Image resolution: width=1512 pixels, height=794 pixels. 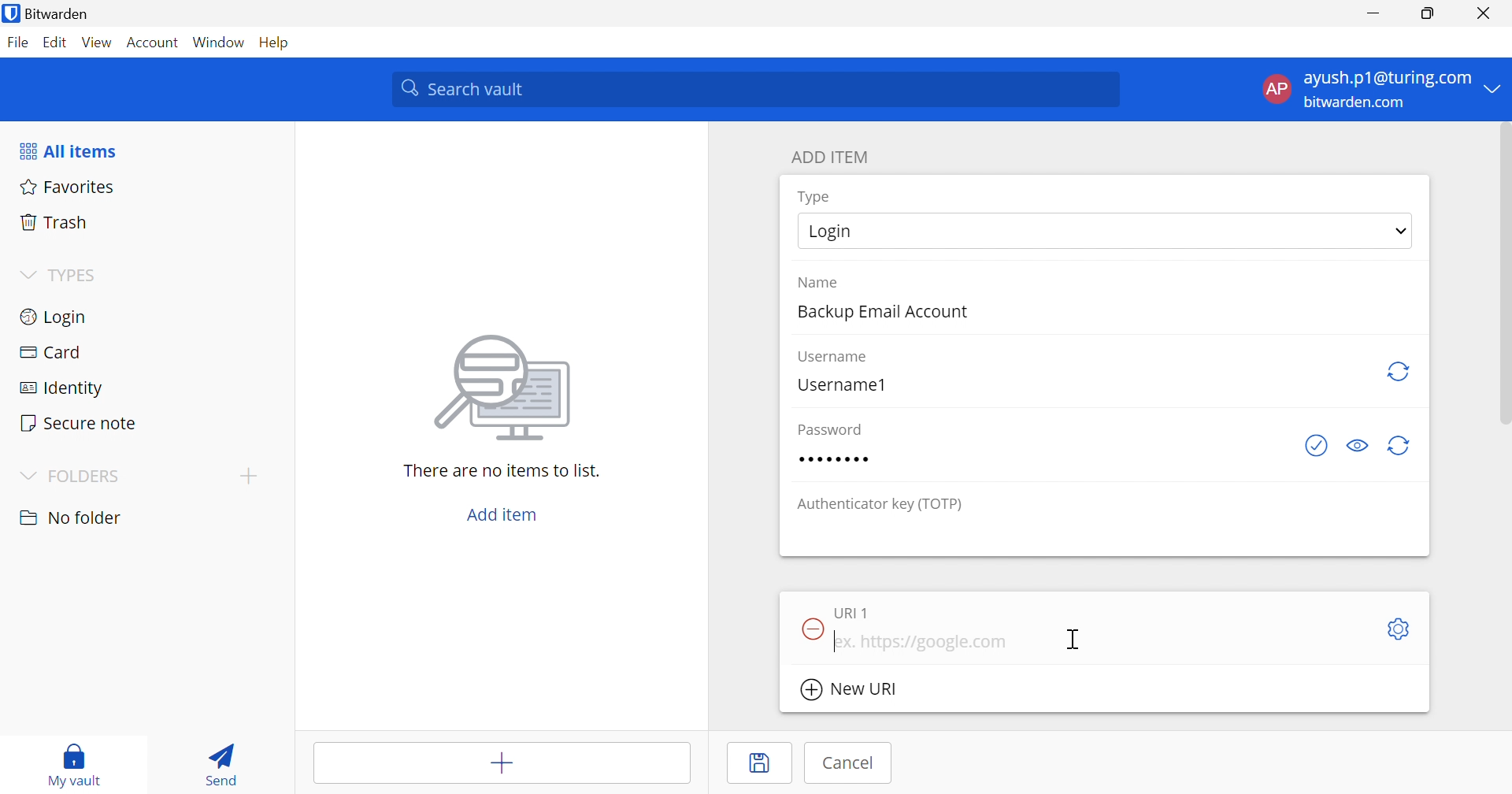 What do you see at coordinates (1373, 13) in the screenshot?
I see `Minimize` at bounding box center [1373, 13].